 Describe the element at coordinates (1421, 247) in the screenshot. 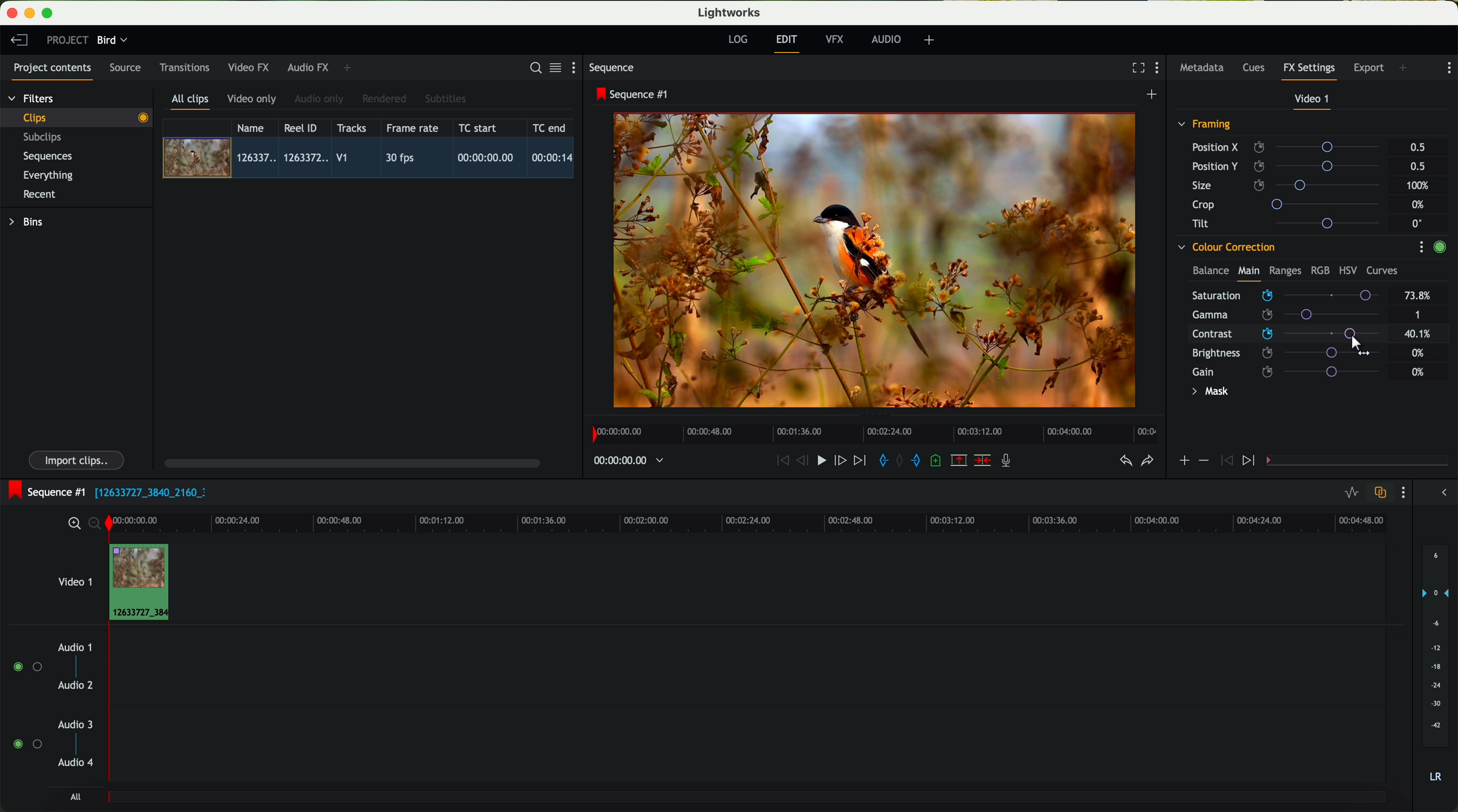

I see `show settings menu` at that location.